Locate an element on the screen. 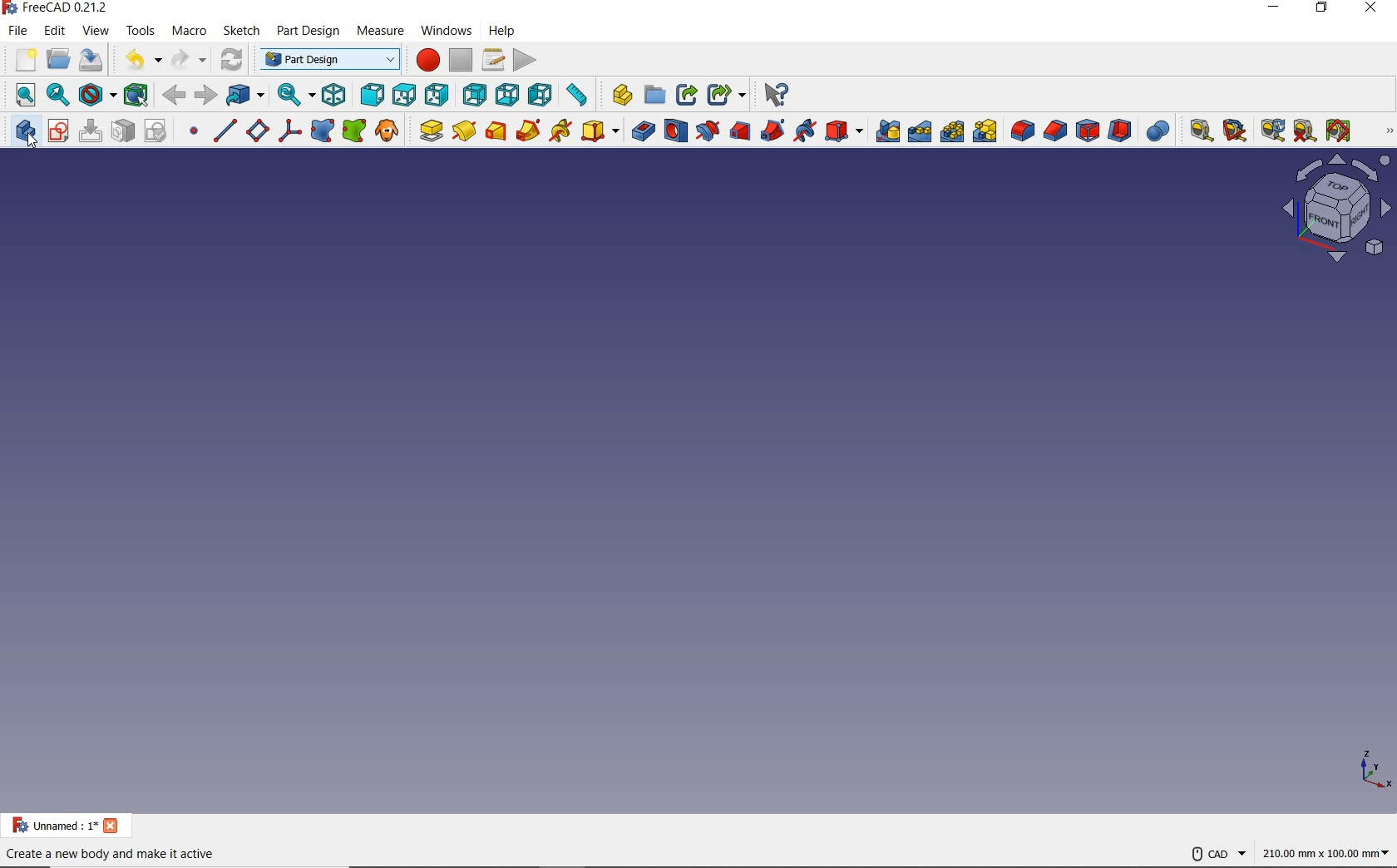 The image size is (1397, 868). macros is located at coordinates (491, 61).